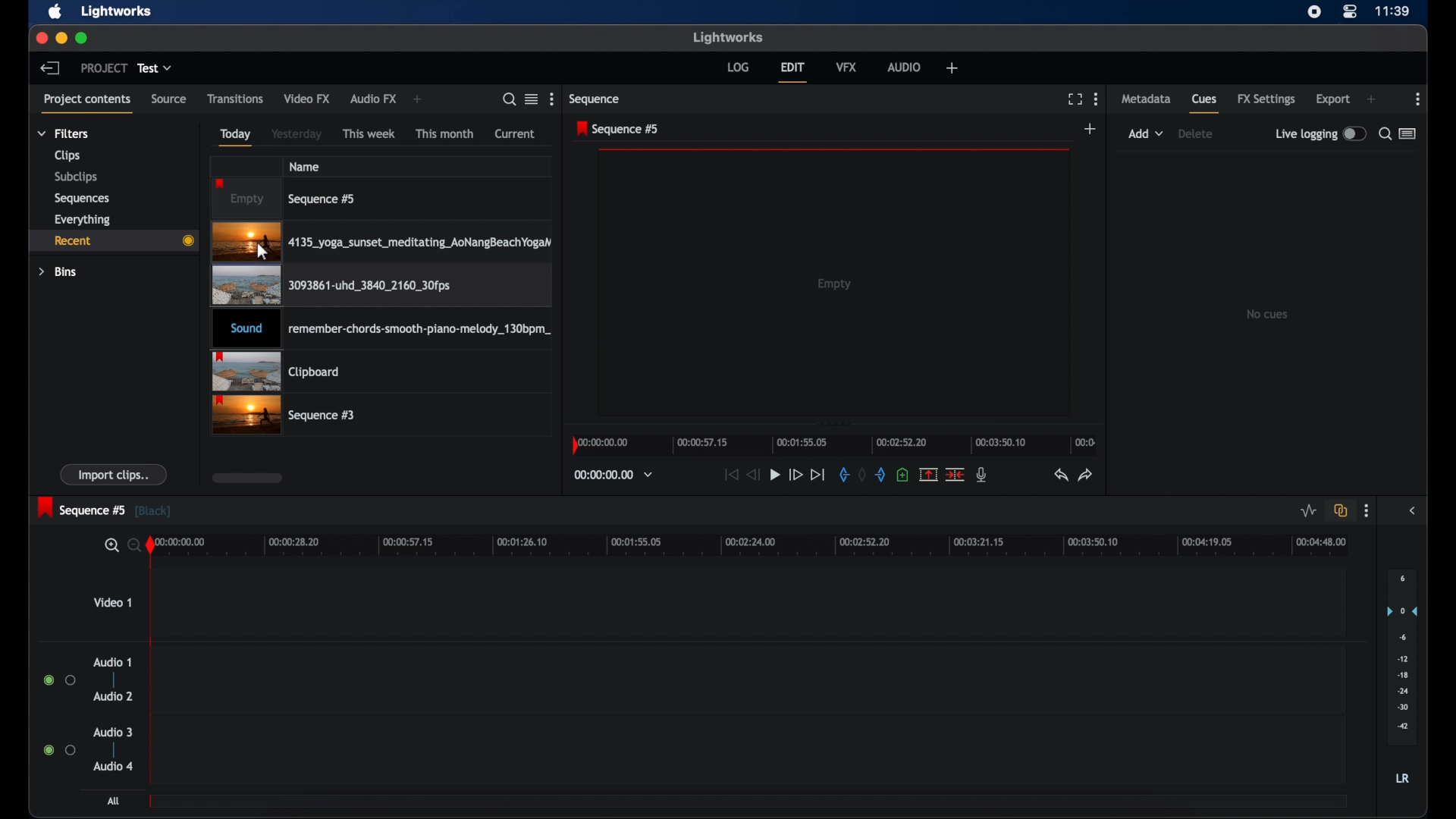  Describe the element at coordinates (62, 38) in the screenshot. I see `minimize` at that location.